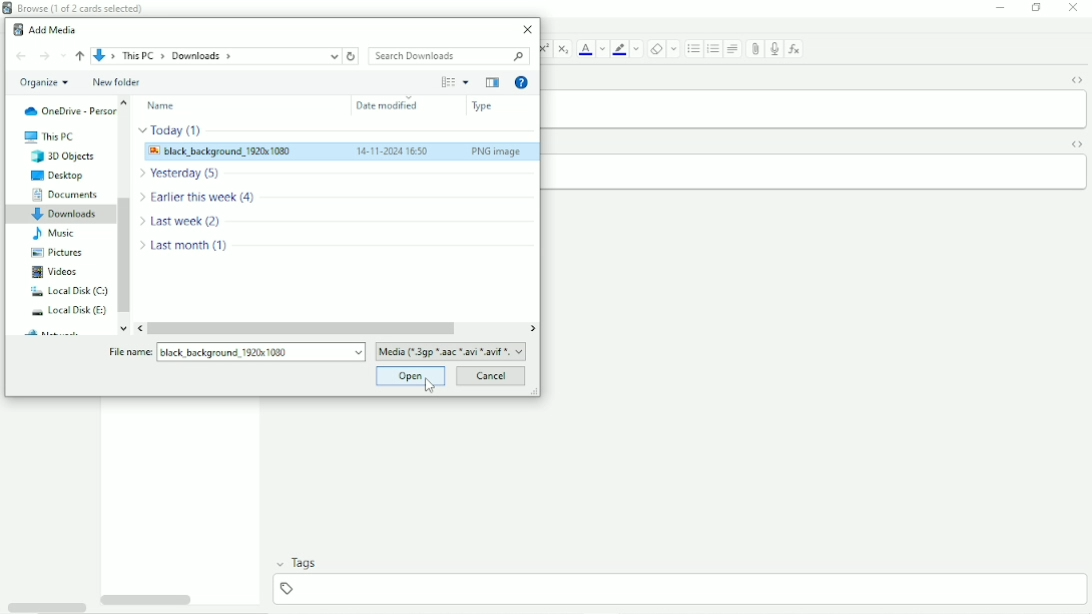  Describe the element at coordinates (150, 600) in the screenshot. I see `Horizontal scrollbar` at that location.